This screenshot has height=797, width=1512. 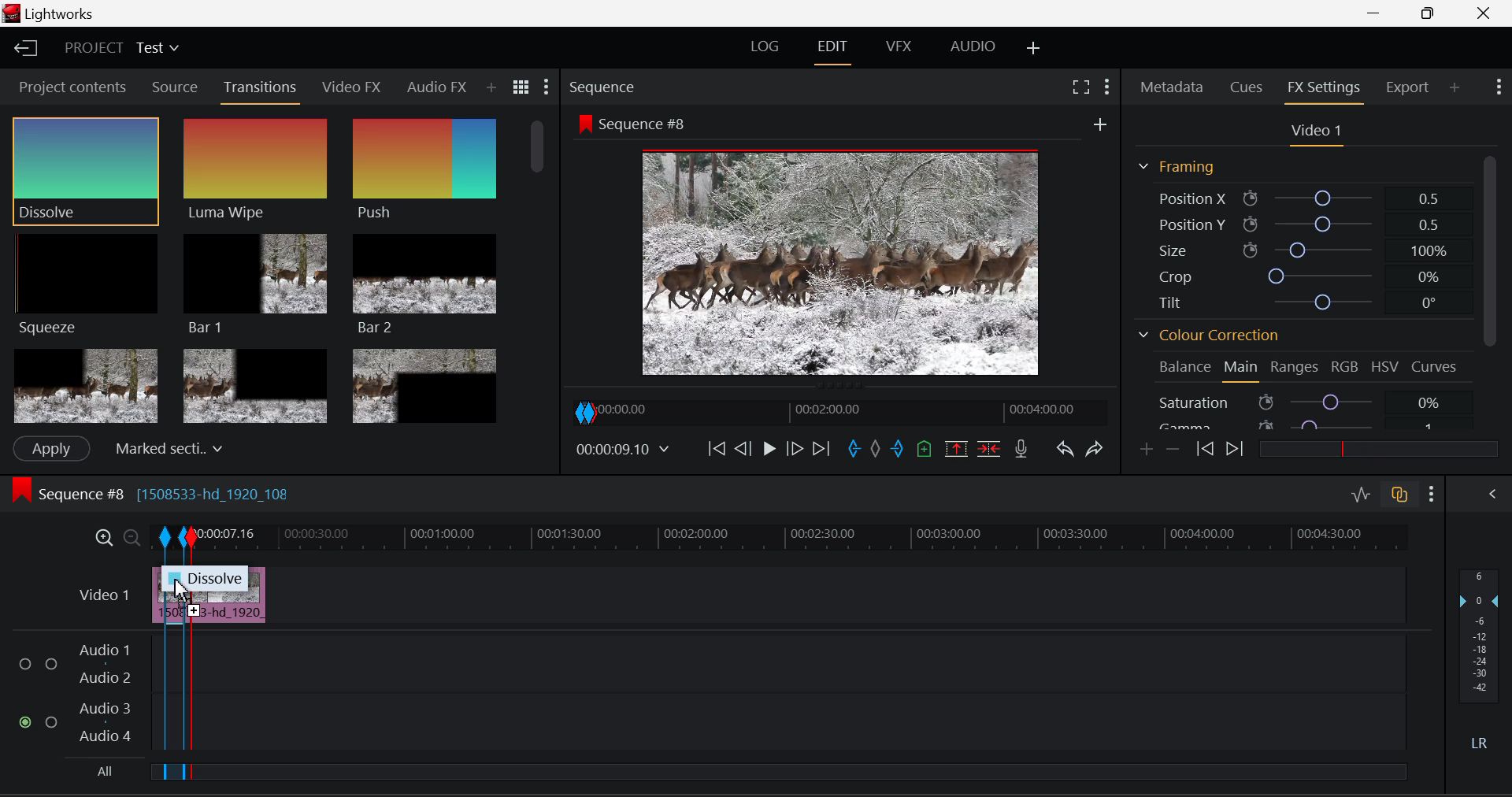 What do you see at coordinates (1342, 369) in the screenshot?
I see `RGB` at bounding box center [1342, 369].